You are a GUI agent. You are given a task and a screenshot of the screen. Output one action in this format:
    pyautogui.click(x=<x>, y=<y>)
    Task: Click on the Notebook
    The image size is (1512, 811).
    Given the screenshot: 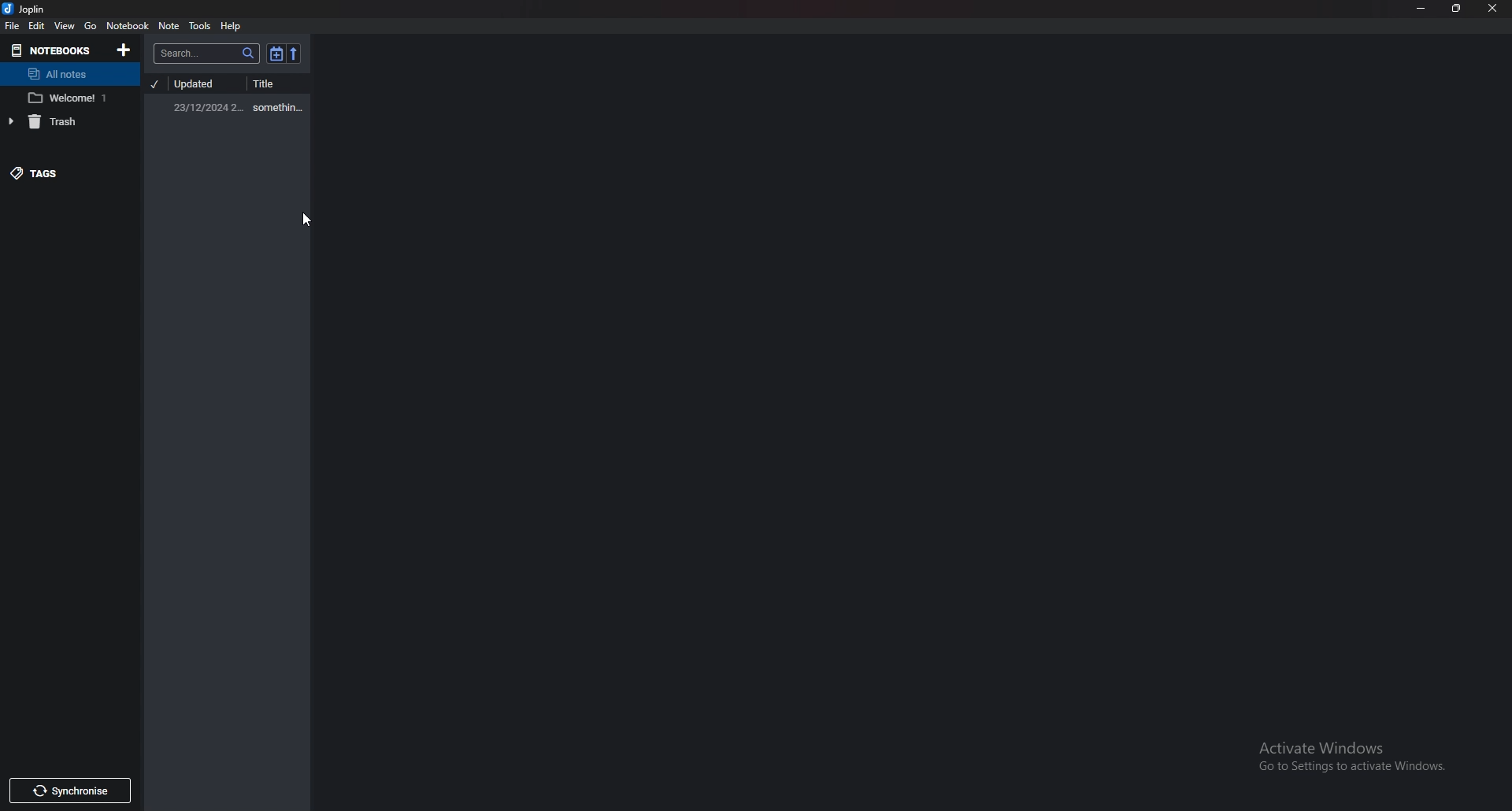 What is the action you would take?
    pyautogui.click(x=66, y=98)
    